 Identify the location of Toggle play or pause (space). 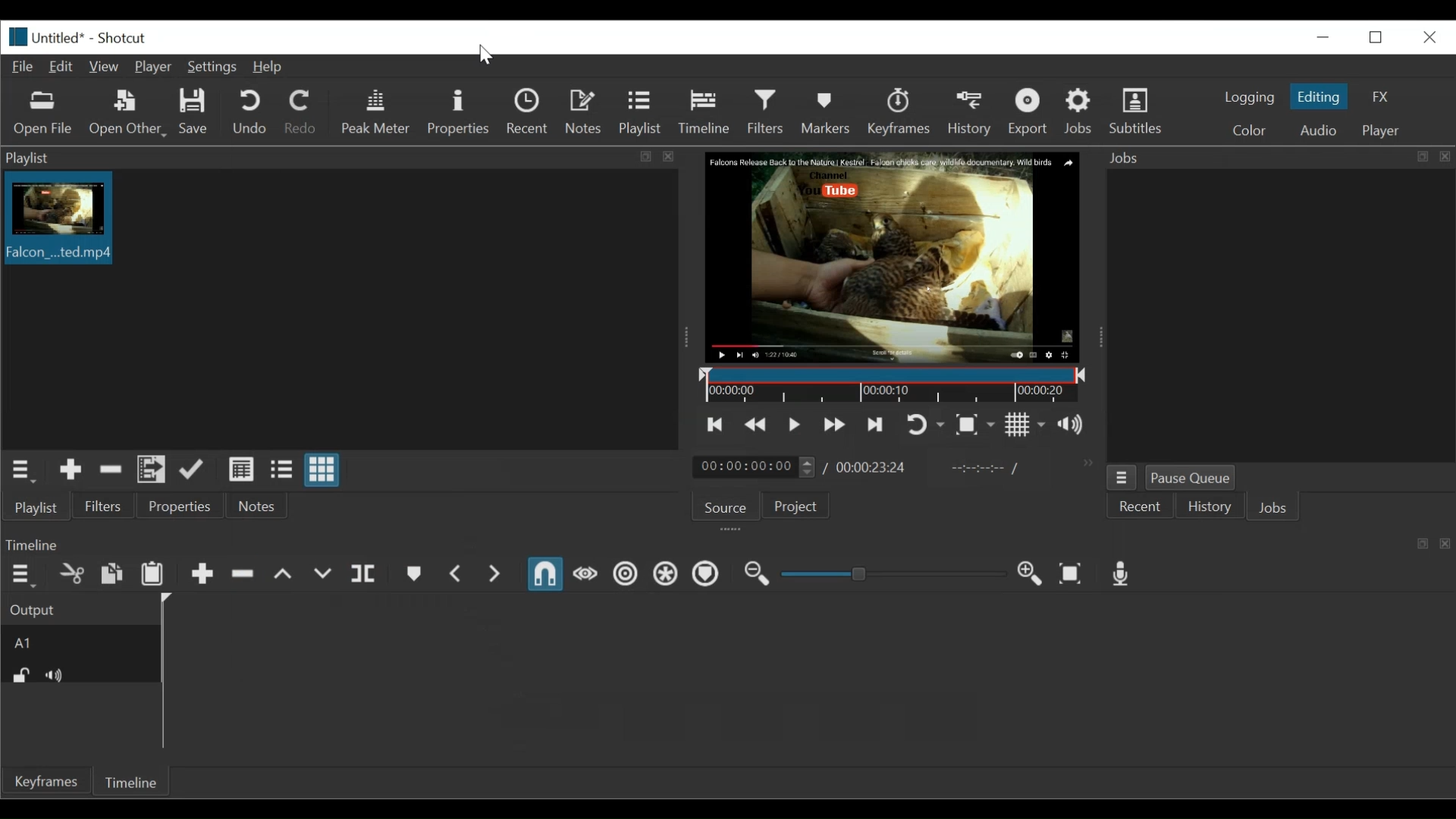
(795, 423).